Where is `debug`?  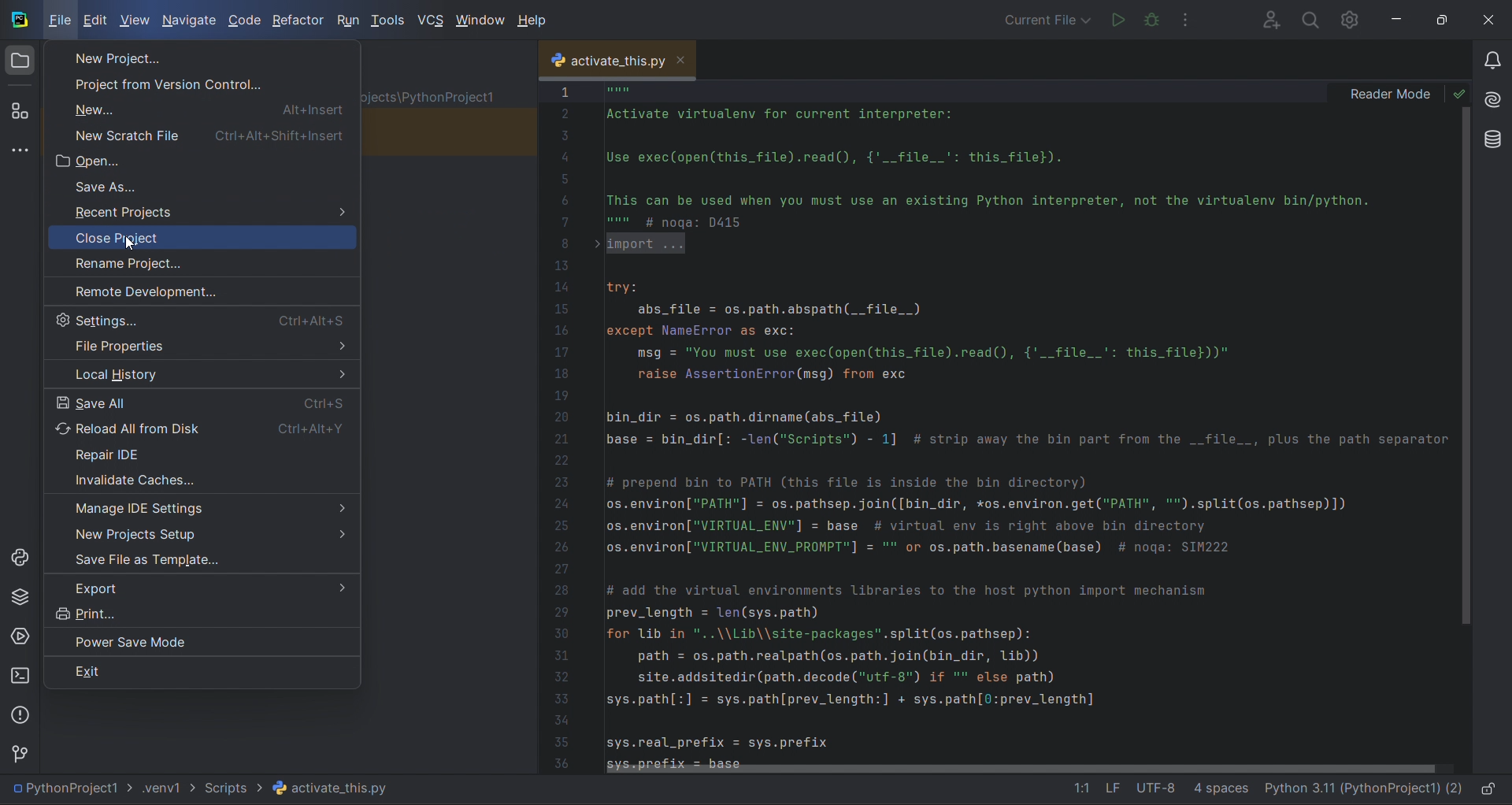 debug is located at coordinates (1150, 19).